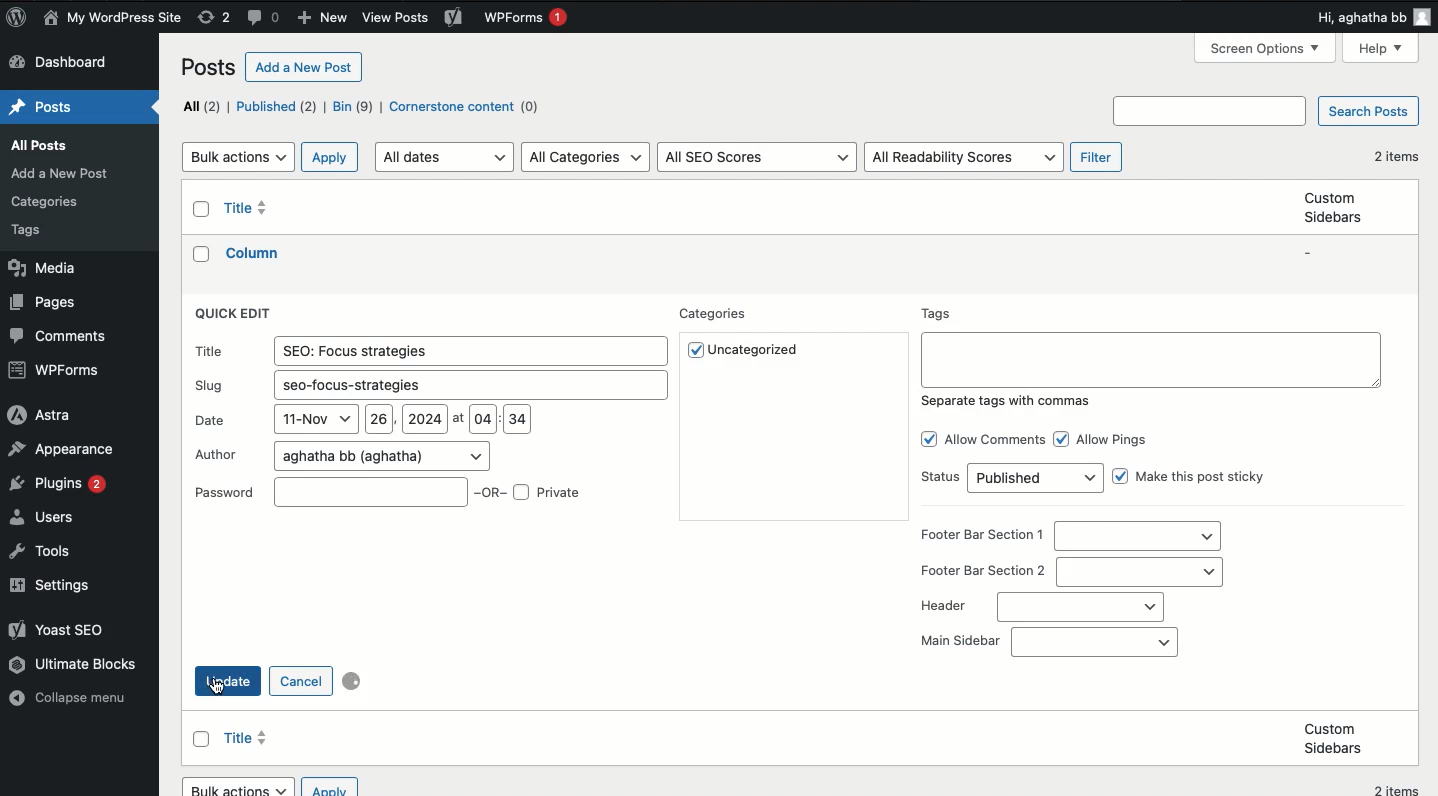 The height and width of the screenshot is (796, 1438). I want to click on Author, so click(381, 455).